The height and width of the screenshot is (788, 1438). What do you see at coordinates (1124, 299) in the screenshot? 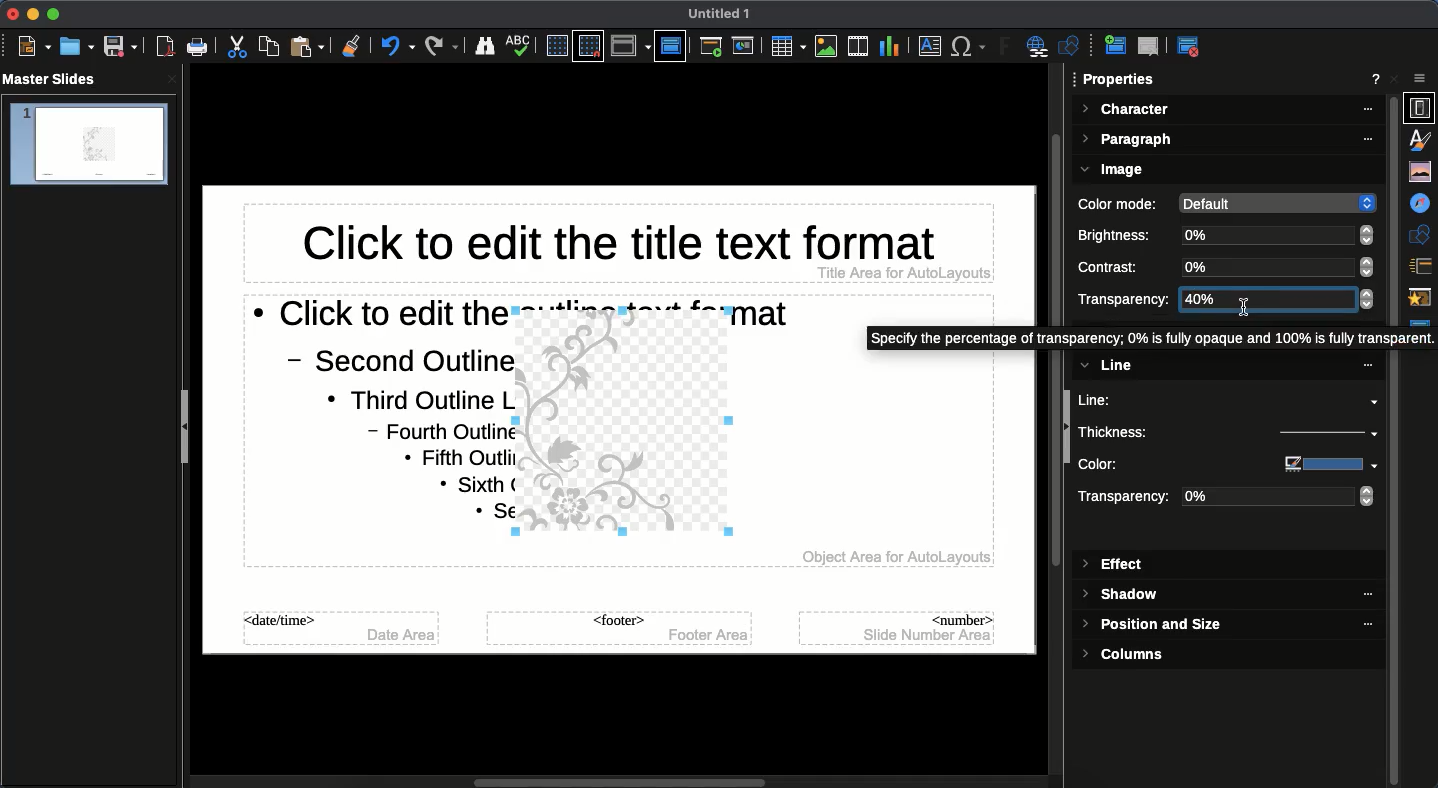
I see `Transparency` at bounding box center [1124, 299].